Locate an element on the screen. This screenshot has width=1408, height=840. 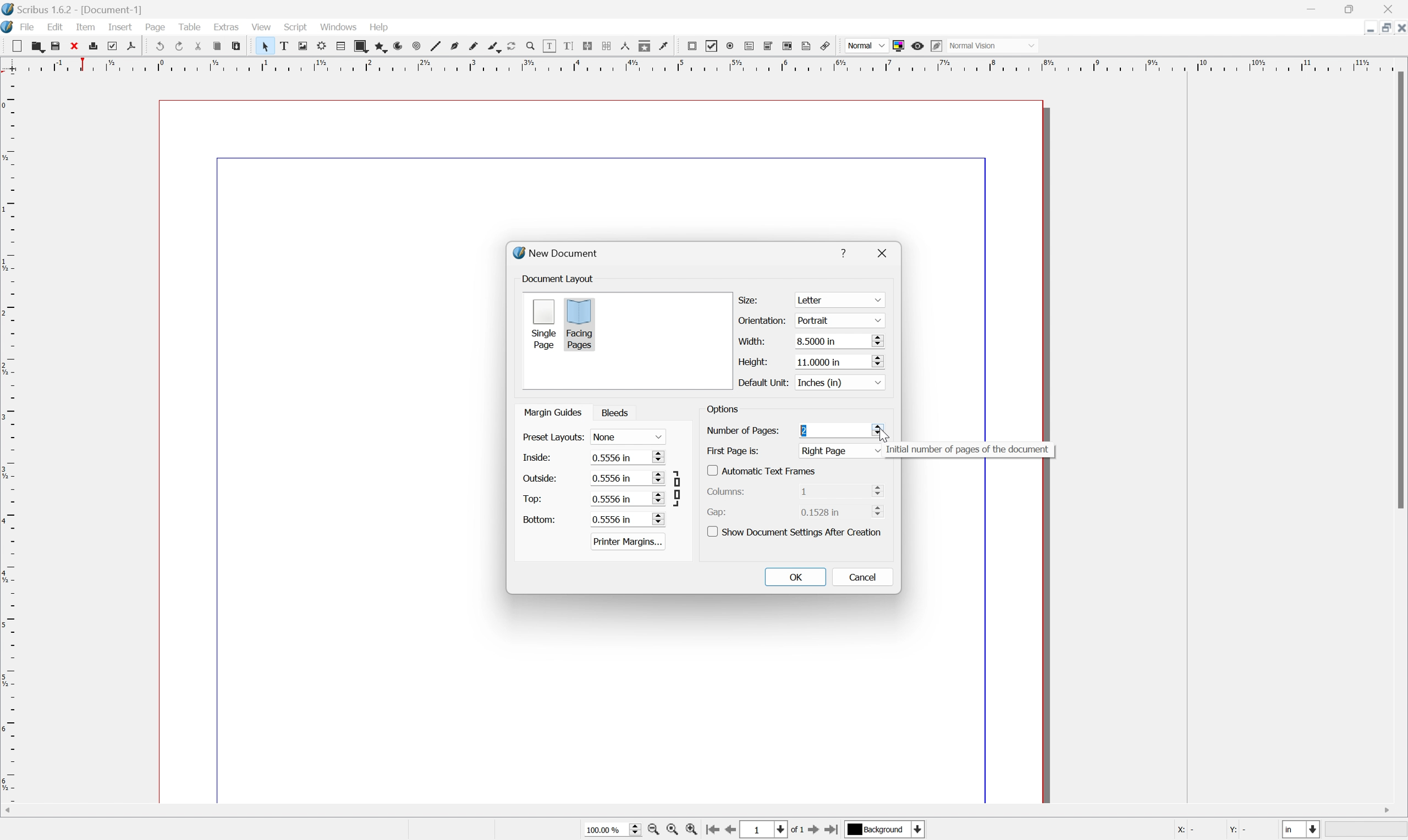
0.5556 in is located at coordinates (627, 478).